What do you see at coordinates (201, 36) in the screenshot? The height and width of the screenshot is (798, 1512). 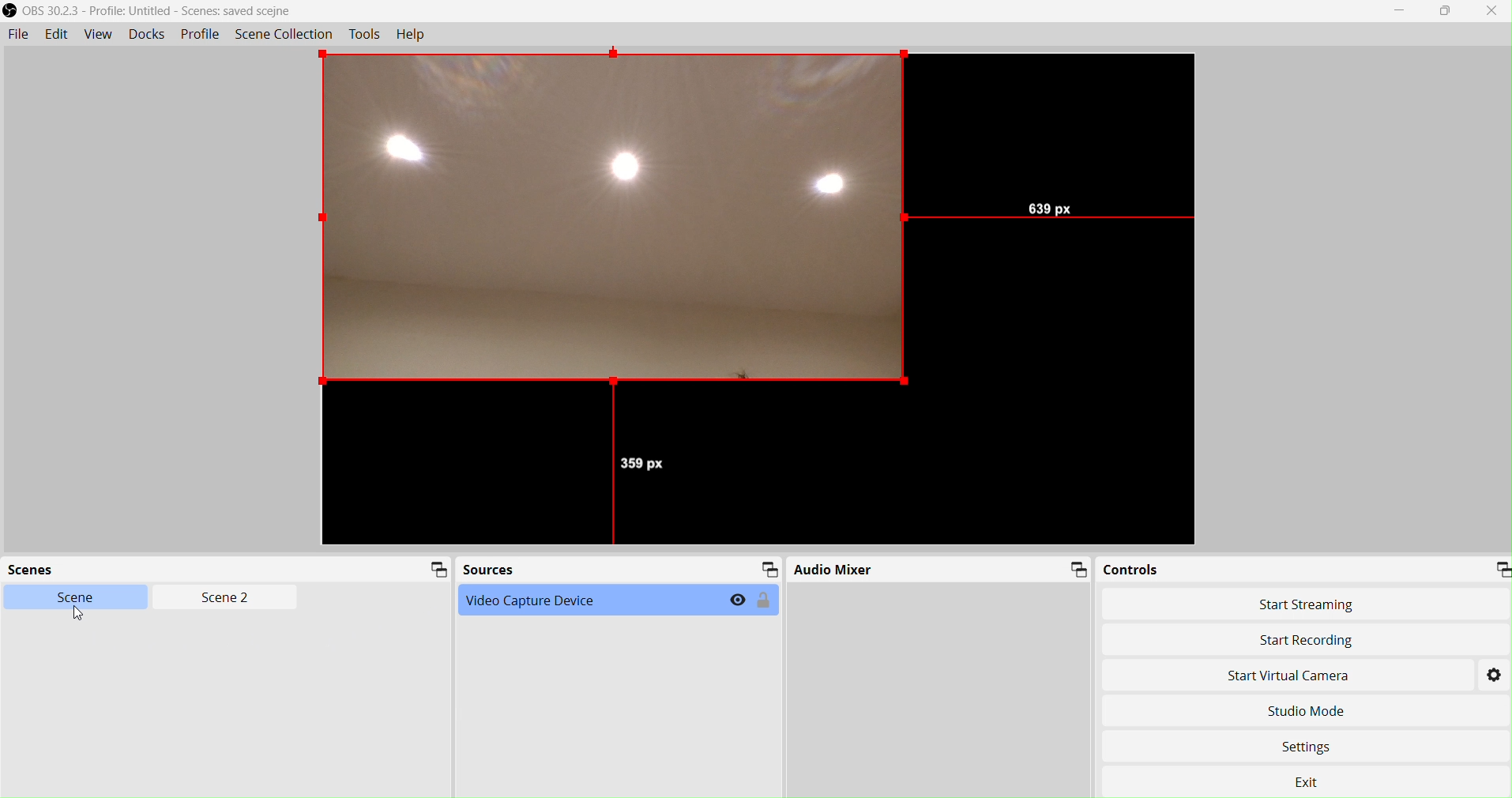 I see `Profile` at bounding box center [201, 36].